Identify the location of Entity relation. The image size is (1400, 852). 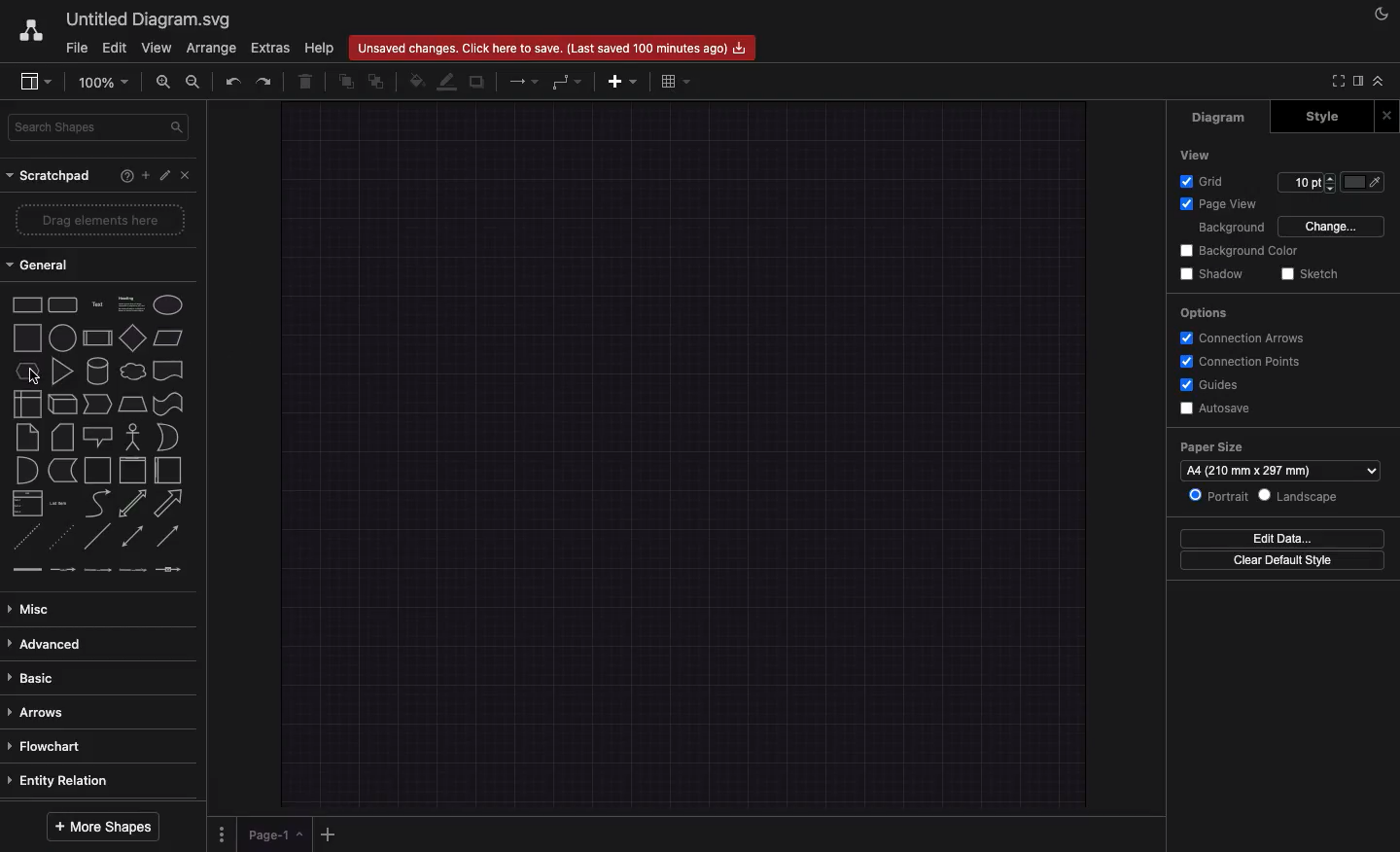
(68, 781).